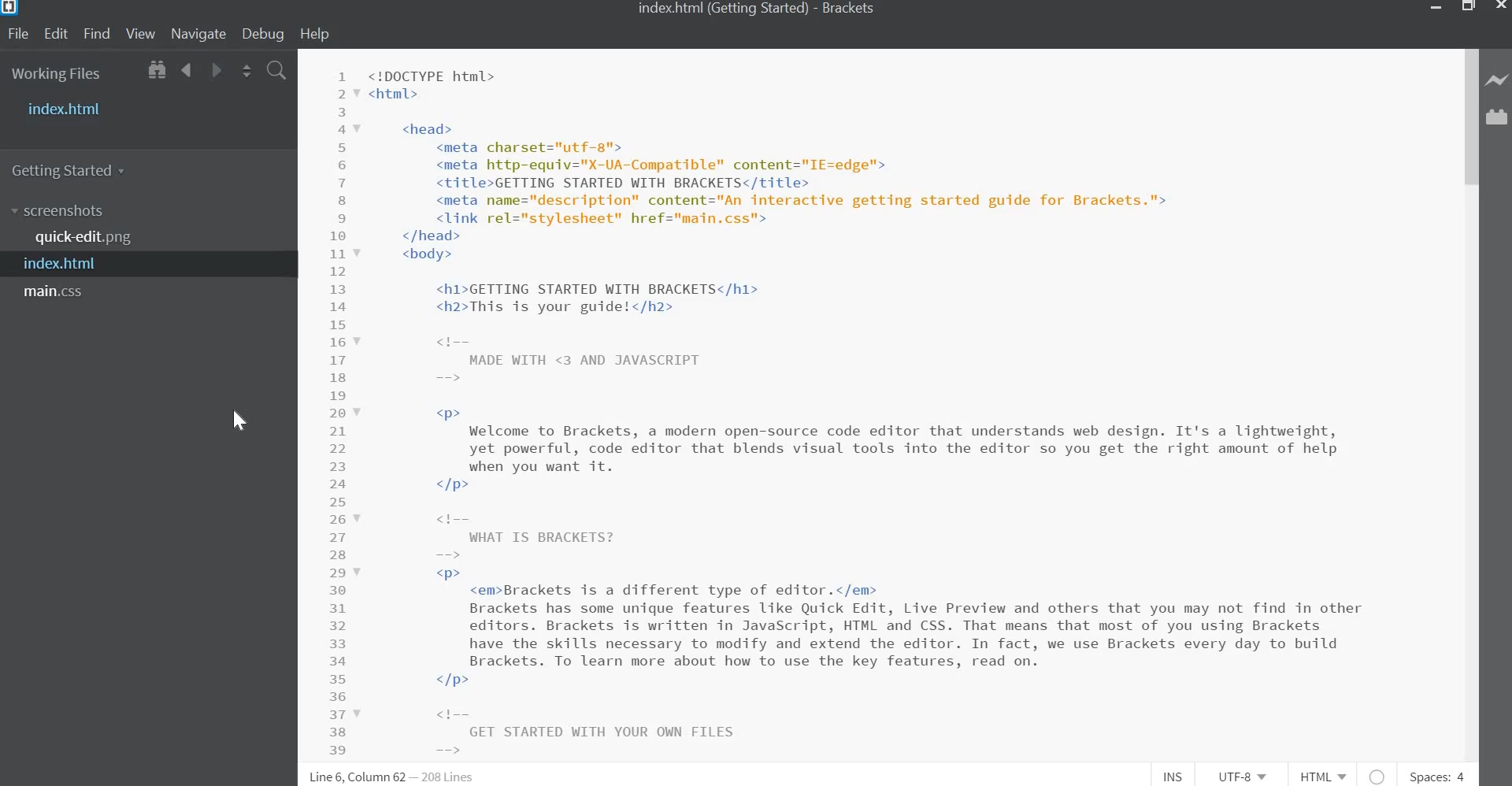 This screenshot has height=786, width=1512. I want to click on Split the Editor Vertically or Horizontally, so click(246, 72).